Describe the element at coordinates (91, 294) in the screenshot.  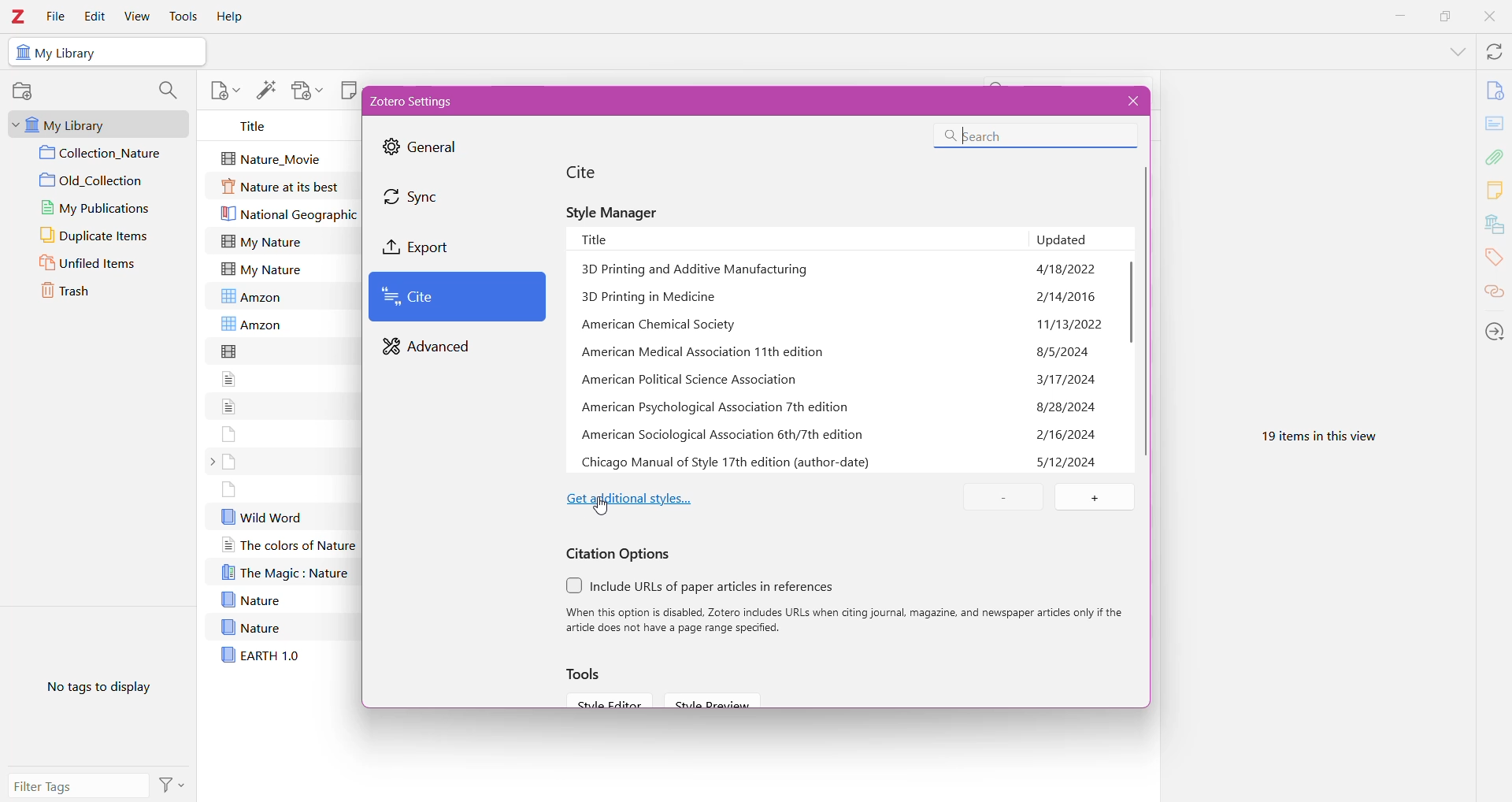
I see `Trash` at that location.